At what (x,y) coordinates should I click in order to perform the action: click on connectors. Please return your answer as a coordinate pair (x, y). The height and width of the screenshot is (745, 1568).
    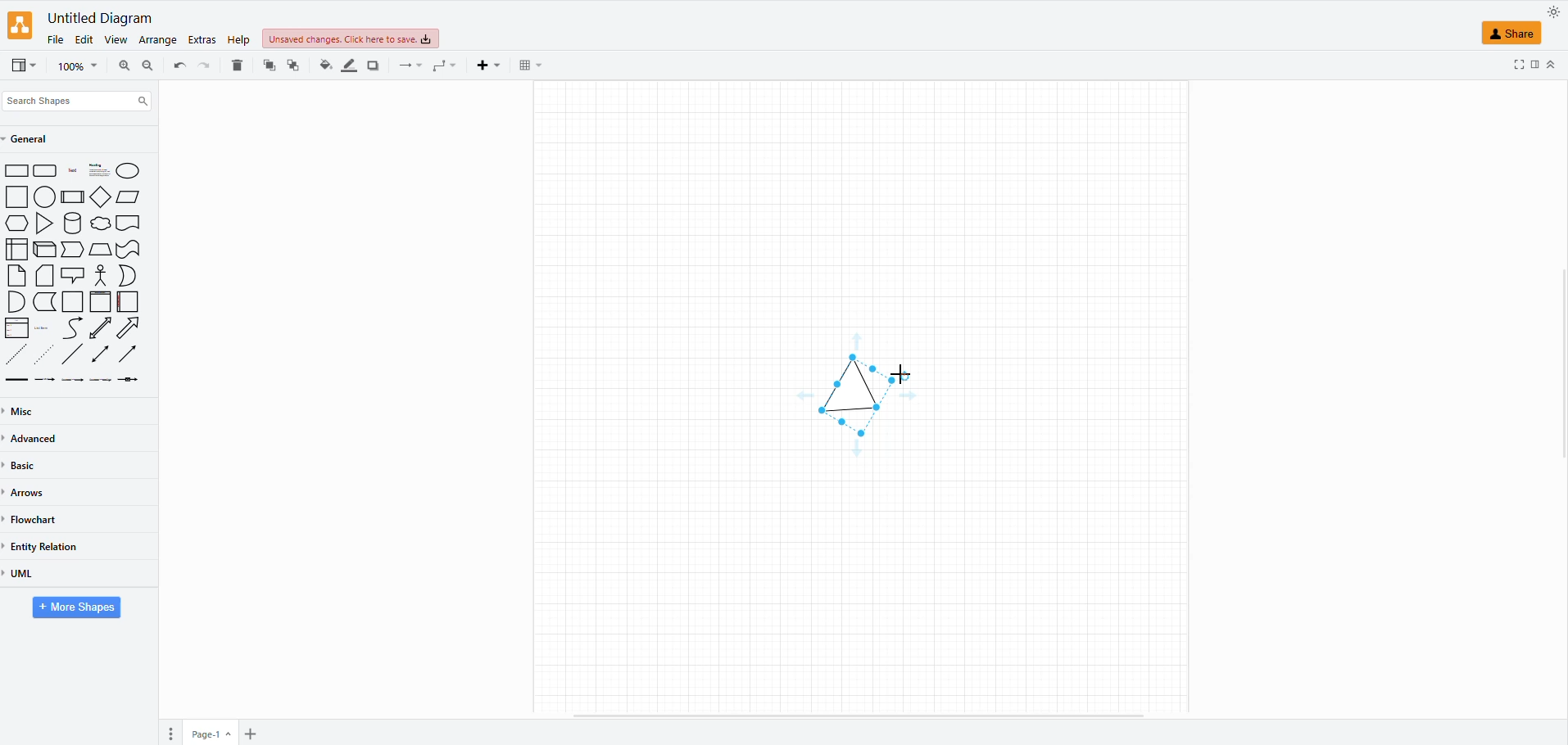
    Looking at the image, I should click on (405, 66).